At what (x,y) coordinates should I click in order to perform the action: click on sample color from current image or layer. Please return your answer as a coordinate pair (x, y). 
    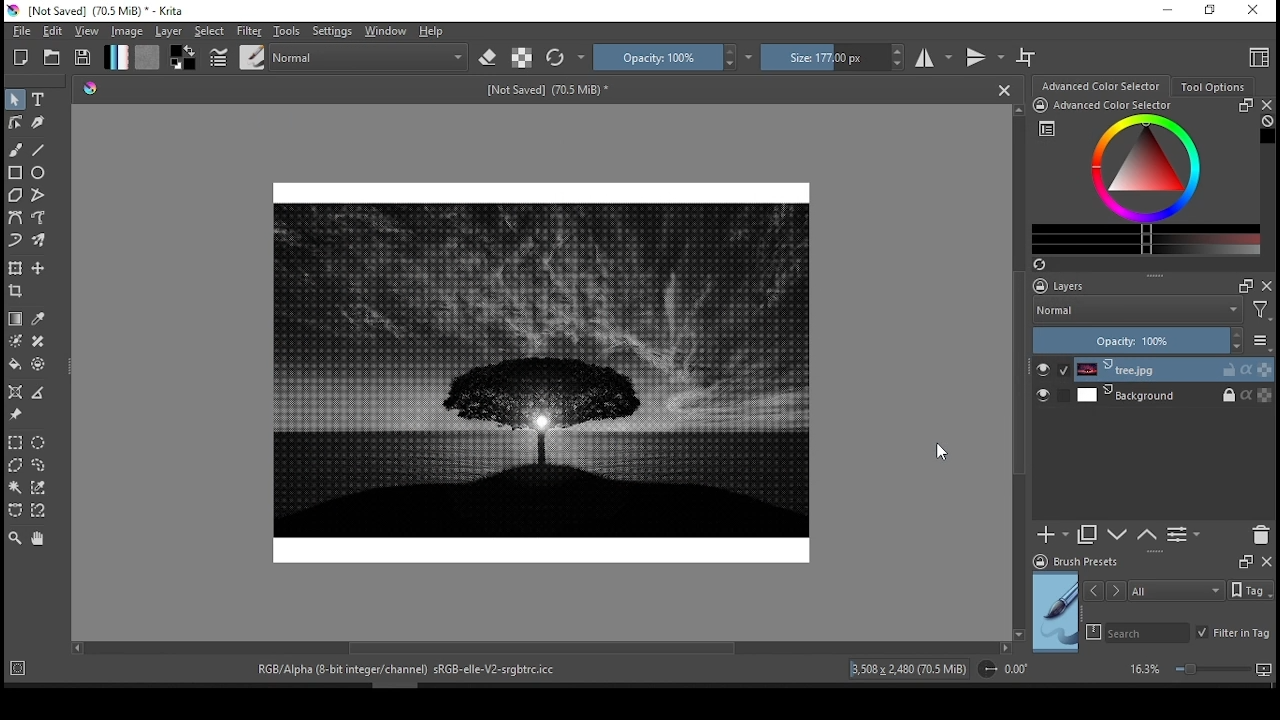
    Looking at the image, I should click on (39, 318).